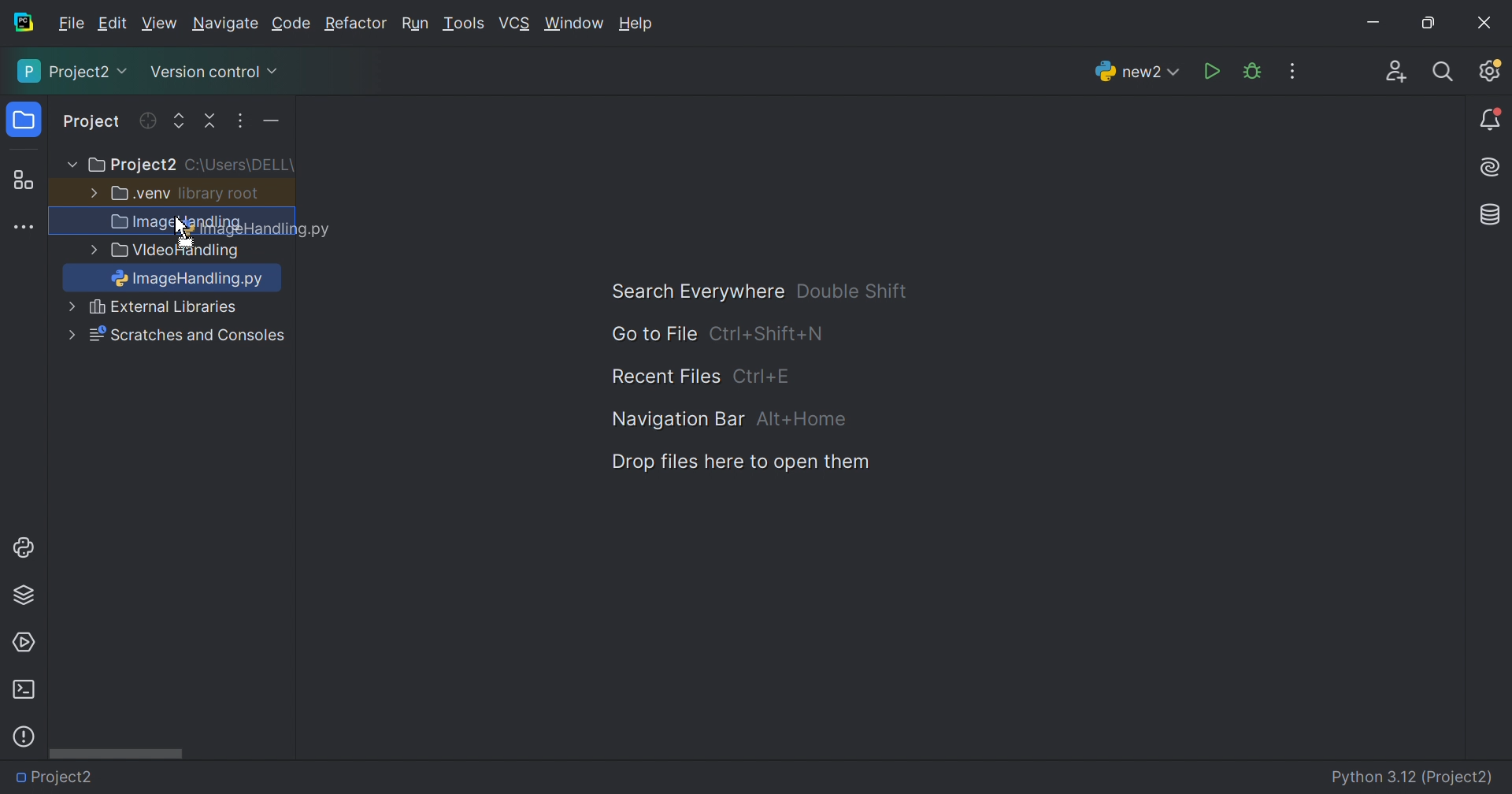 This screenshot has height=794, width=1512. I want to click on More, so click(70, 334).